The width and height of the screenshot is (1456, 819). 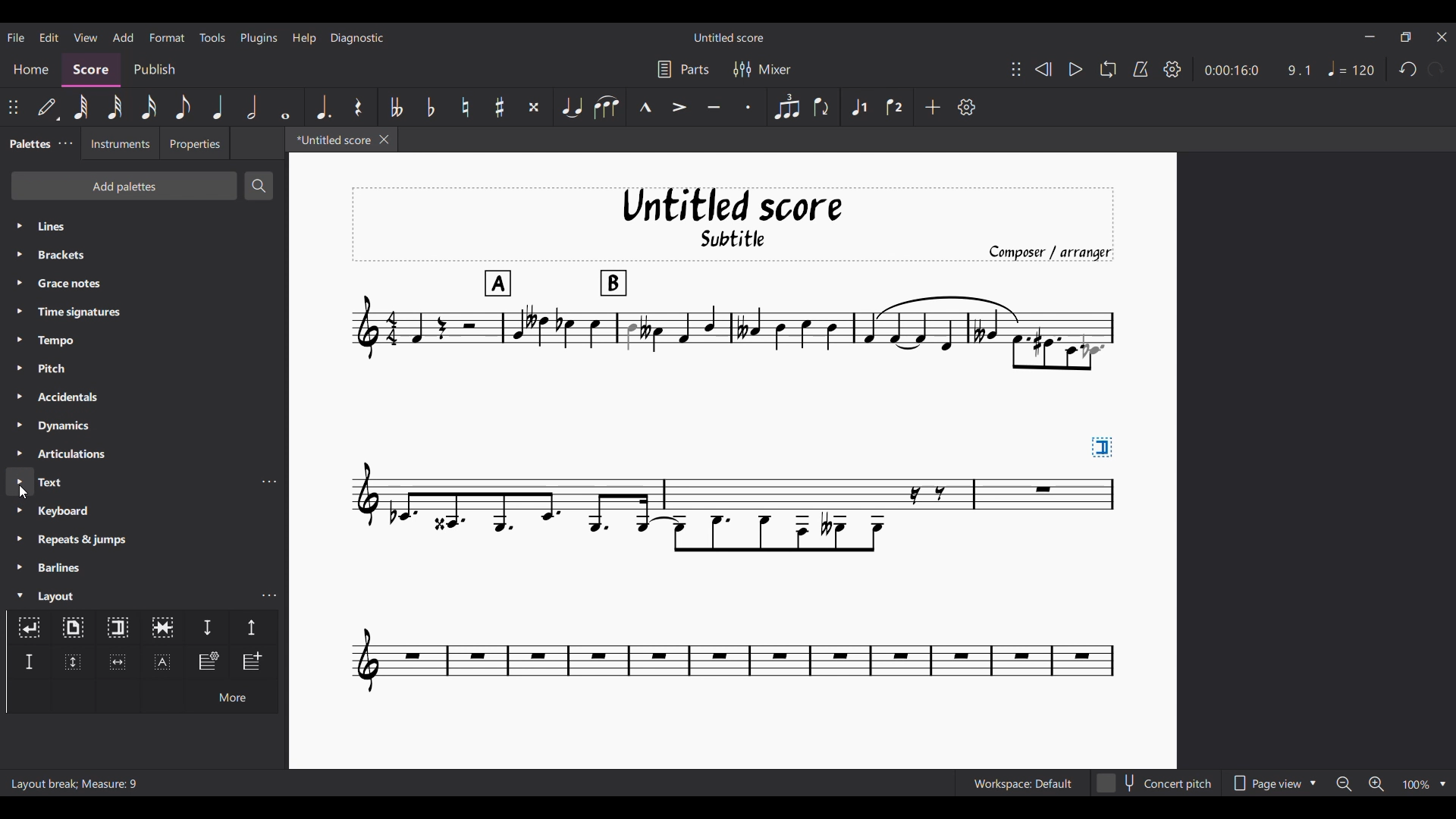 What do you see at coordinates (218, 106) in the screenshot?
I see `Quarter note` at bounding box center [218, 106].